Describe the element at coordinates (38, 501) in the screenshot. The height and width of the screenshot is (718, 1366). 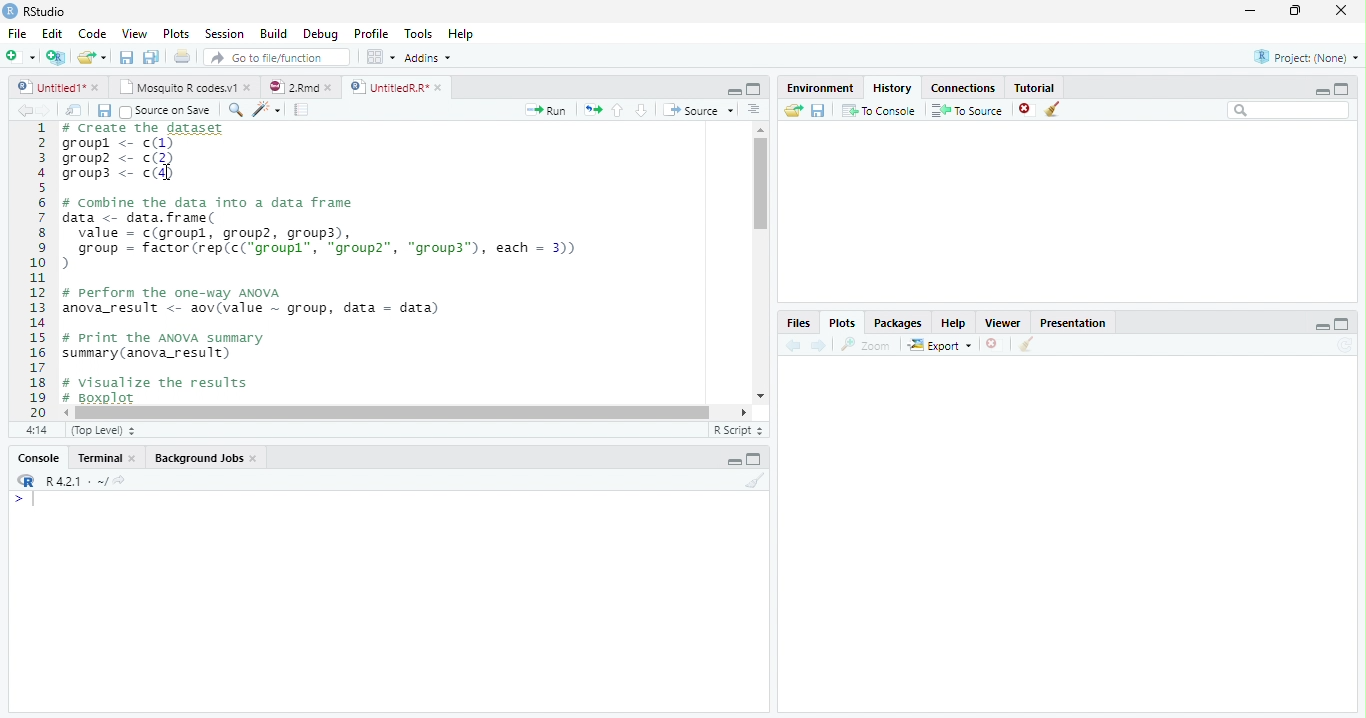
I see `Cursor` at that location.